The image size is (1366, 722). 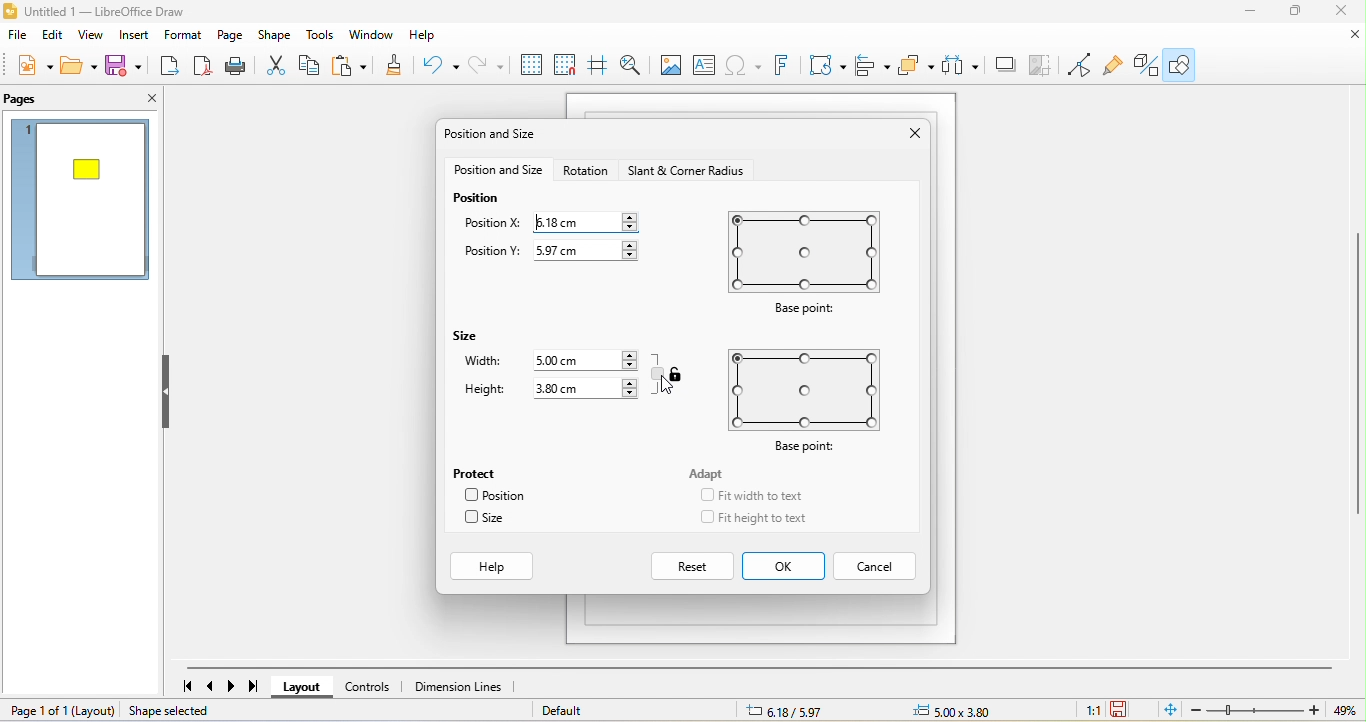 I want to click on toggle draw function, so click(x=1144, y=63).